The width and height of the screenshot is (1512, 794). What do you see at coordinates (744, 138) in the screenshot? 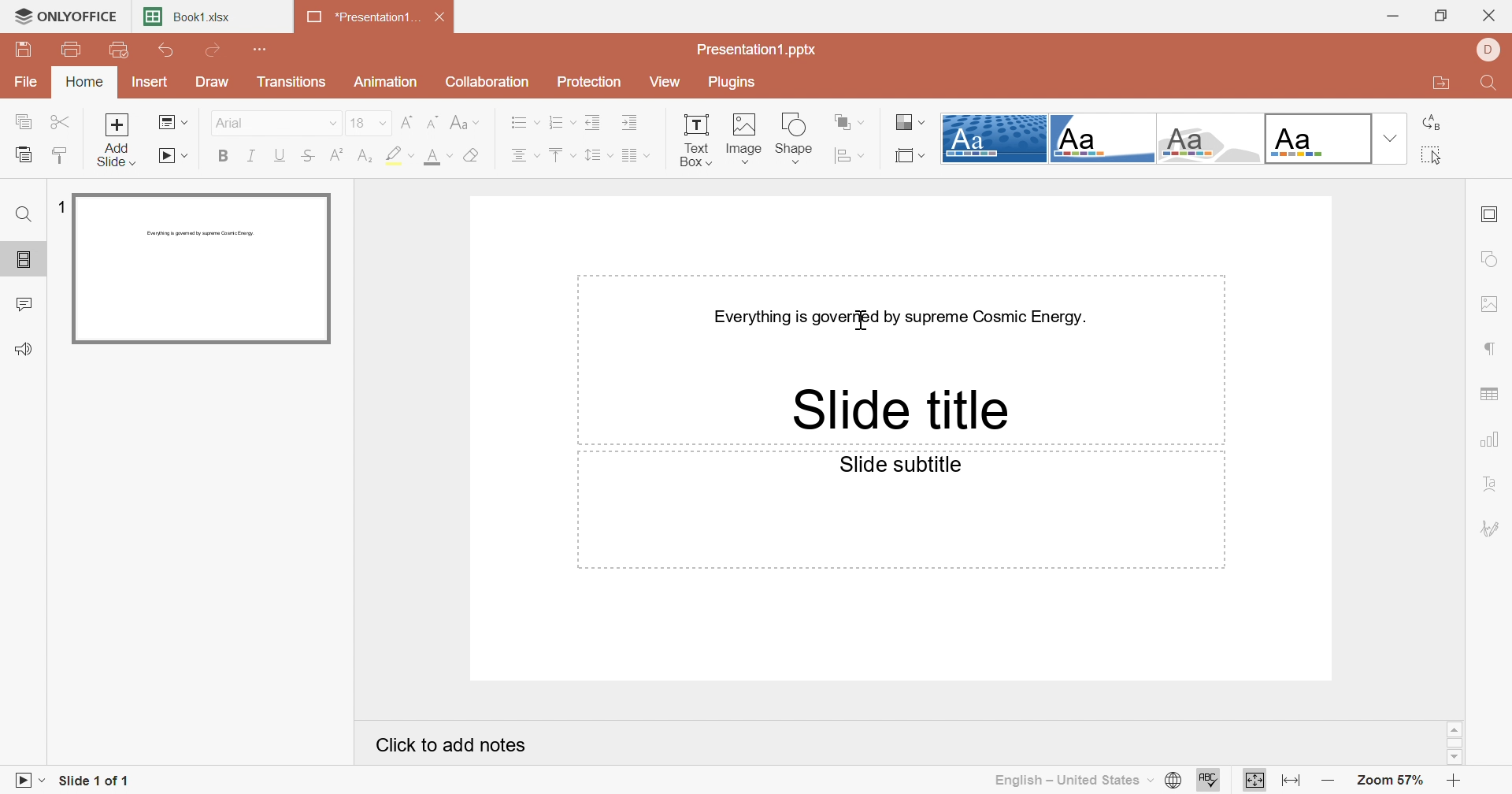
I see `Image` at bounding box center [744, 138].